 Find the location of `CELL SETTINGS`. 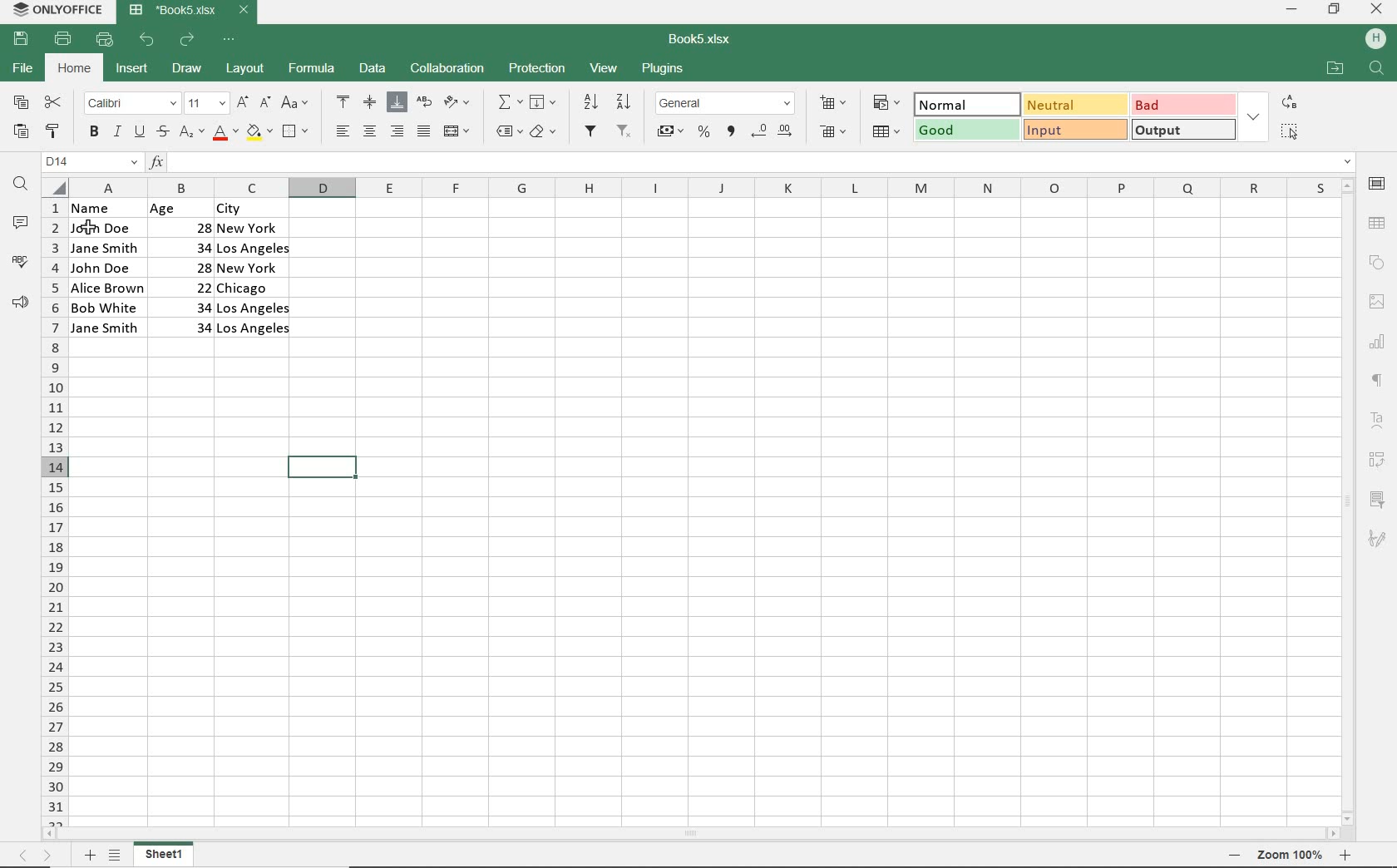

CELL SETTINGS is located at coordinates (1378, 183).